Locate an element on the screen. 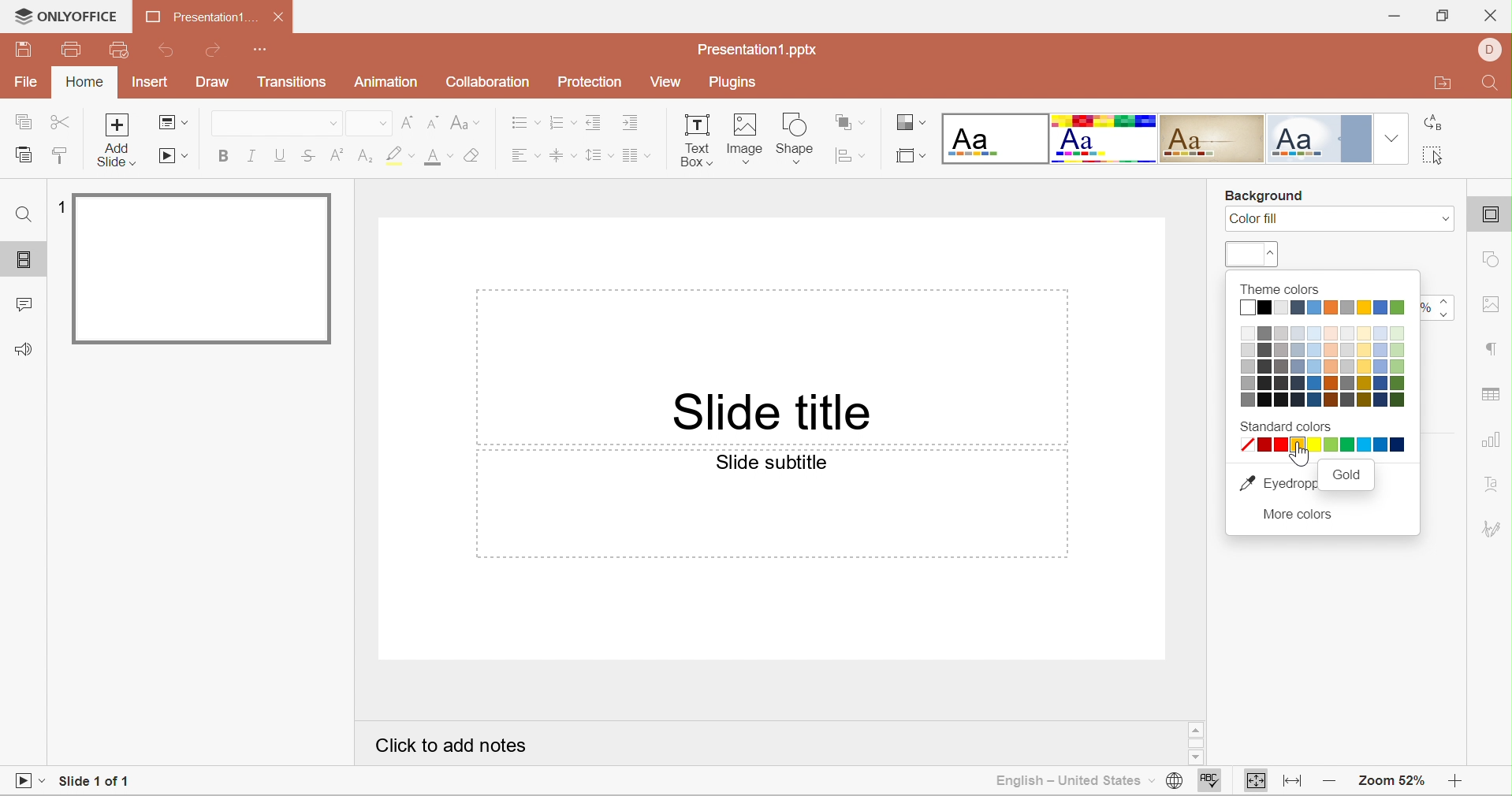  English - United States is located at coordinates (1063, 782).